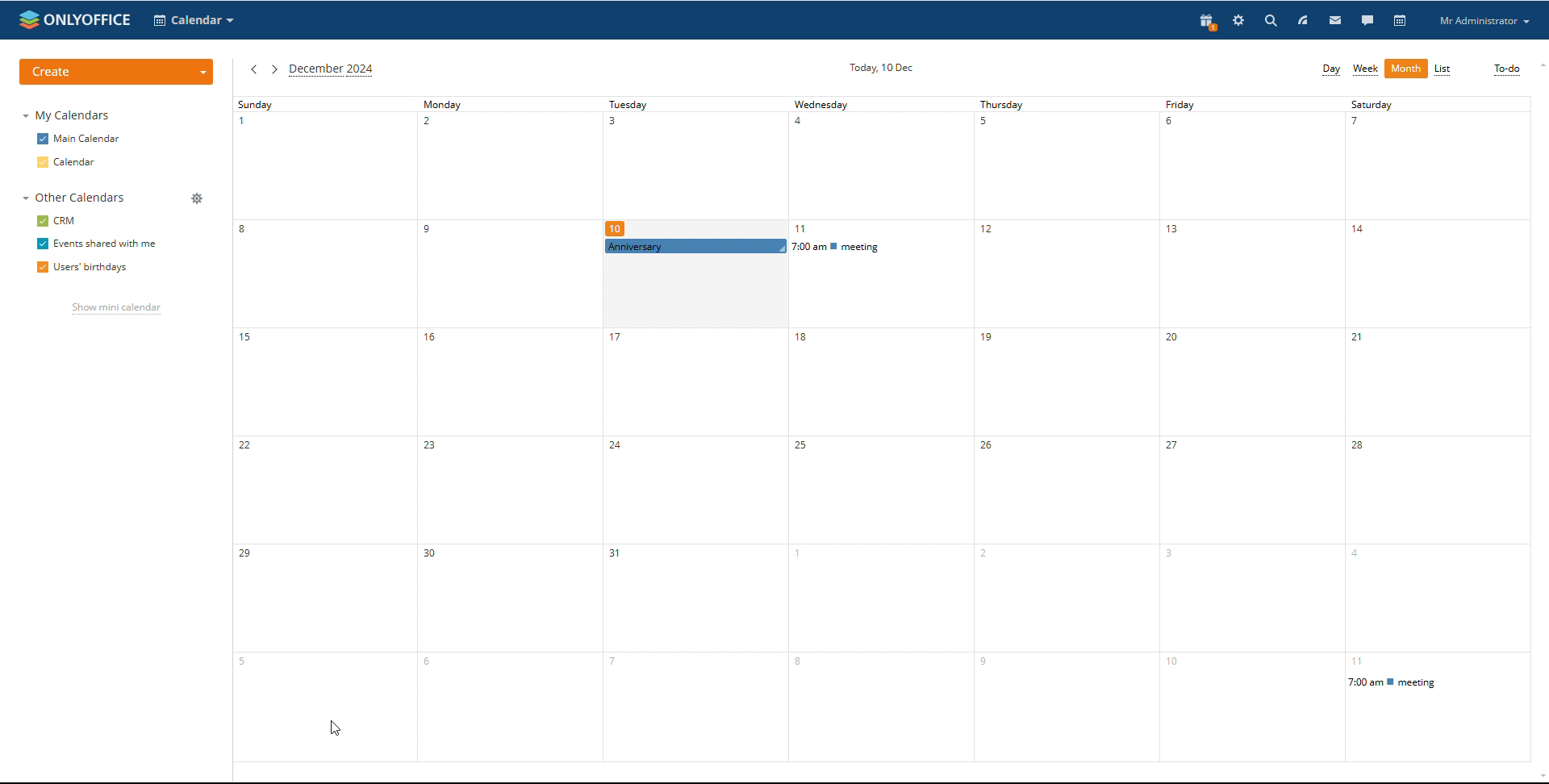 The width and height of the screenshot is (1549, 784). I want to click on next month, so click(273, 69).